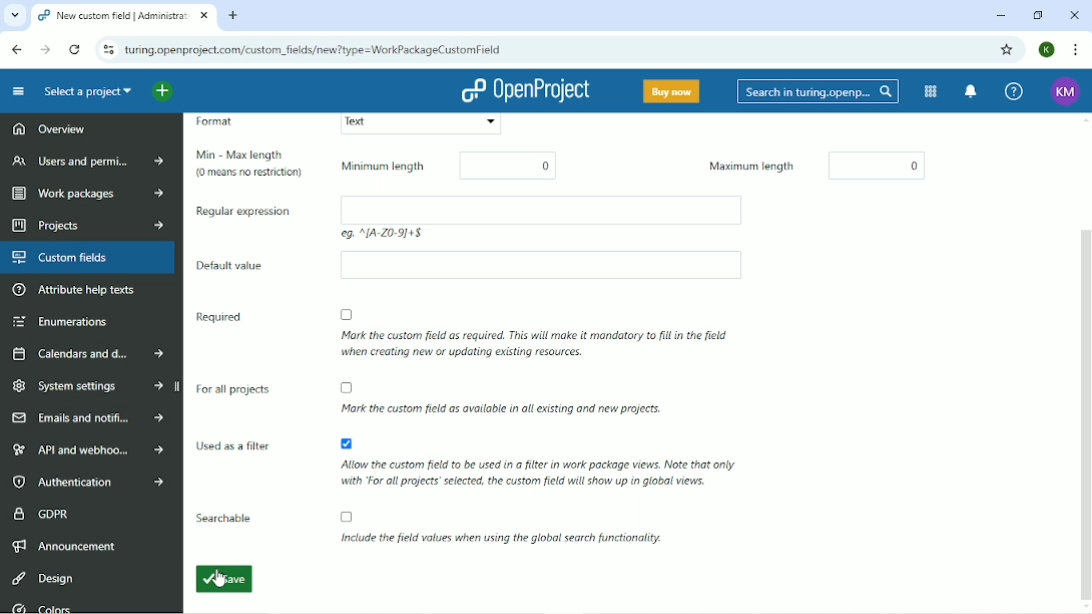  I want to click on Collapse project menu, so click(18, 91).